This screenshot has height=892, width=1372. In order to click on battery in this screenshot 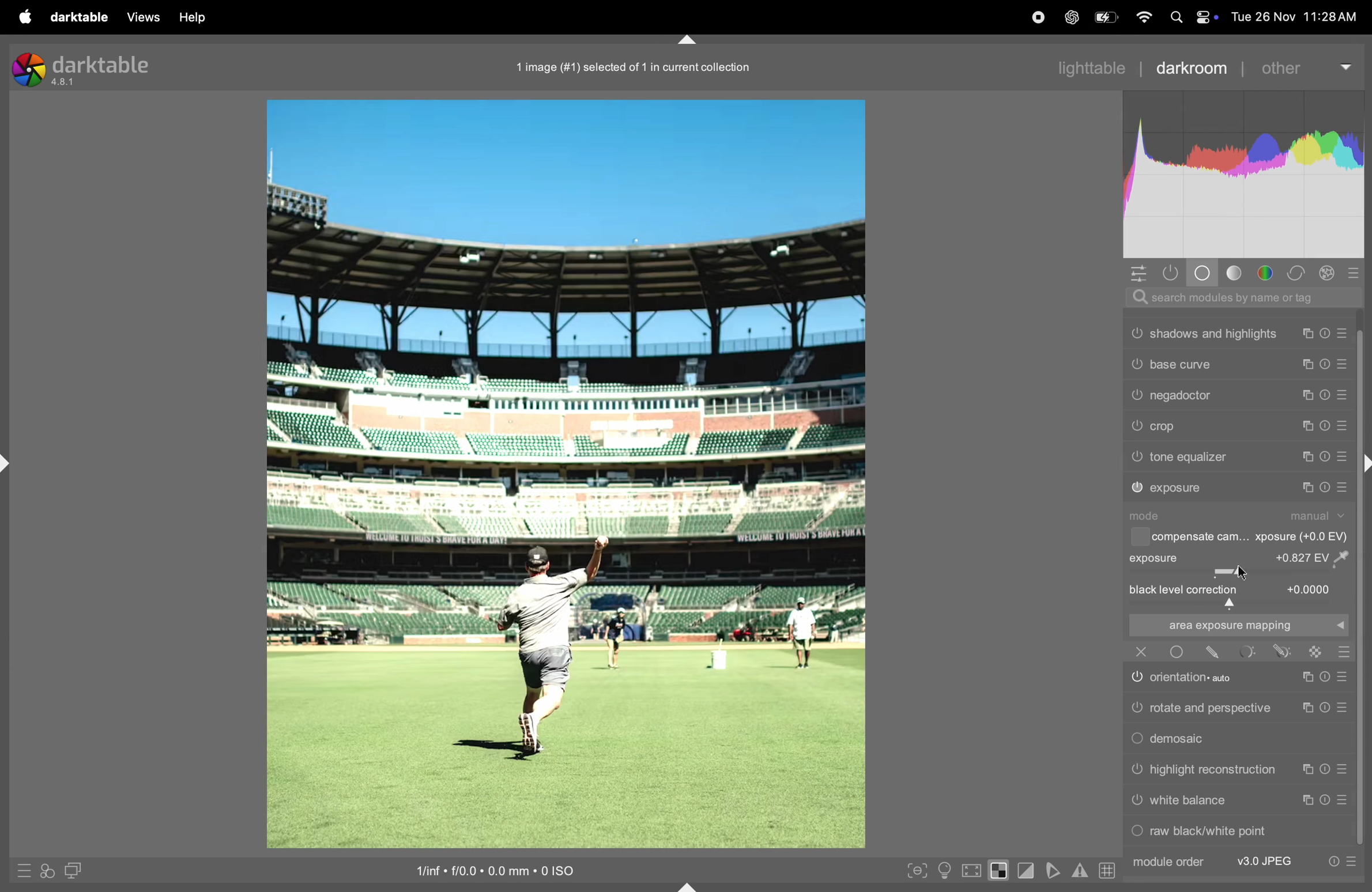, I will do `click(1108, 16)`.